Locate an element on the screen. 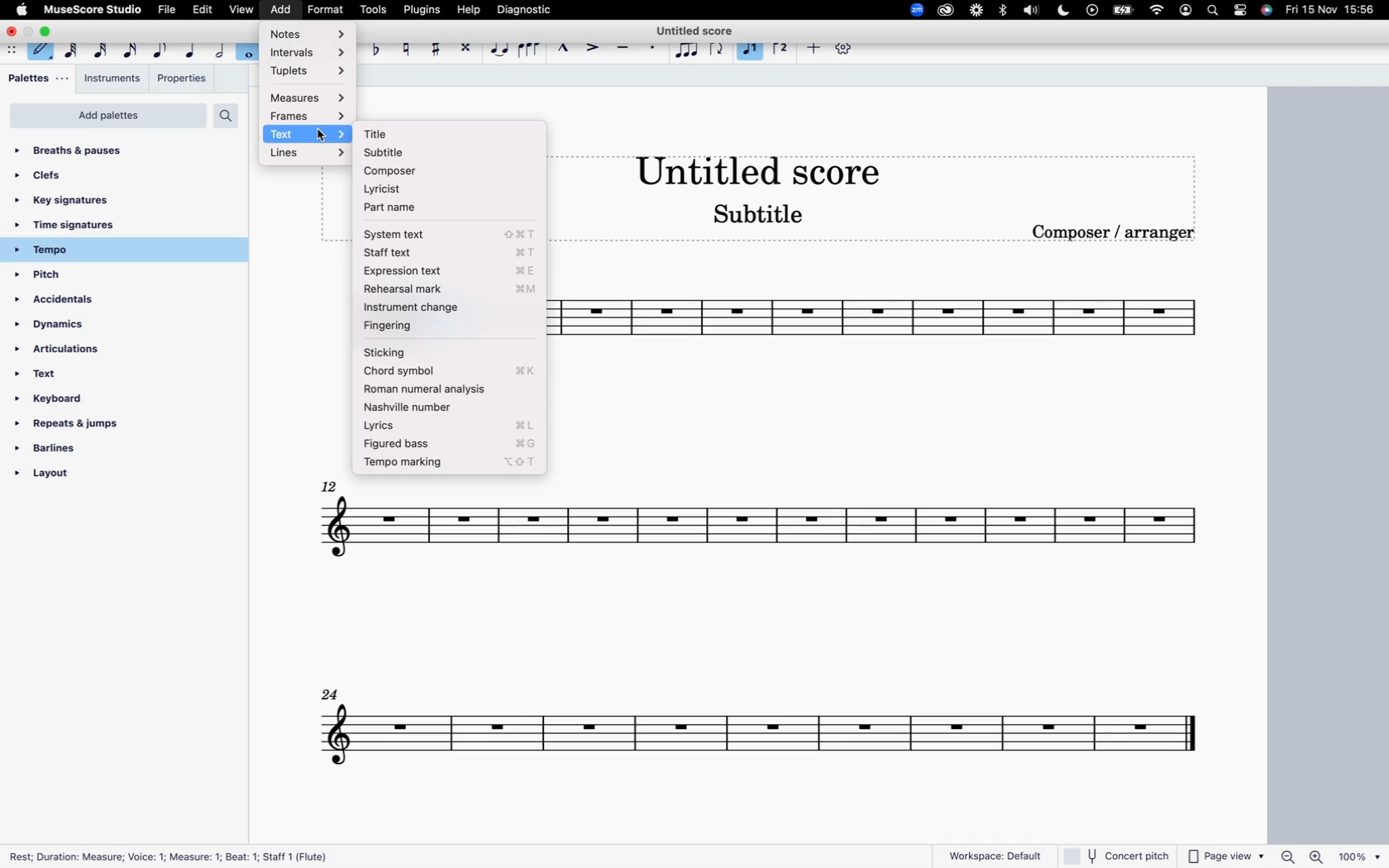 Image resolution: width=1389 pixels, height=868 pixels. palettes is located at coordinates (38, 80).